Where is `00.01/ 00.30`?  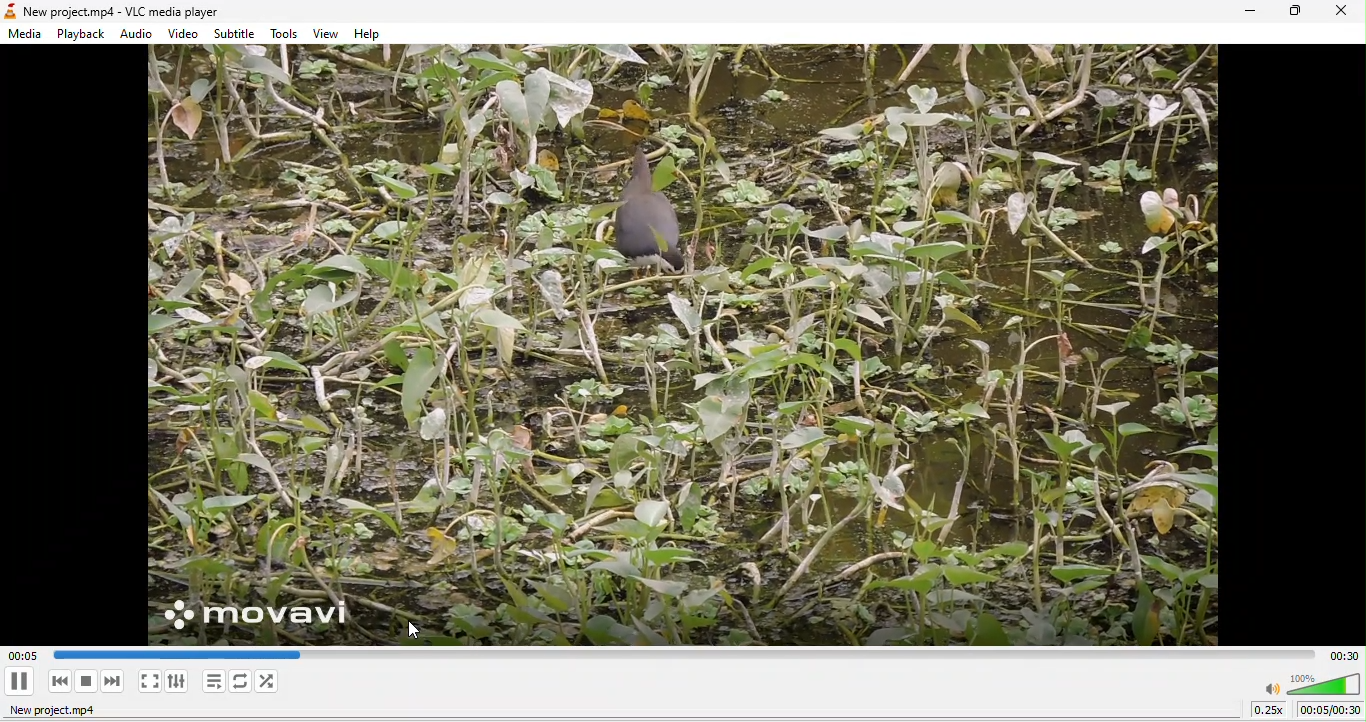
00.01/ 00.30 is located at coordinates (1331, 711).